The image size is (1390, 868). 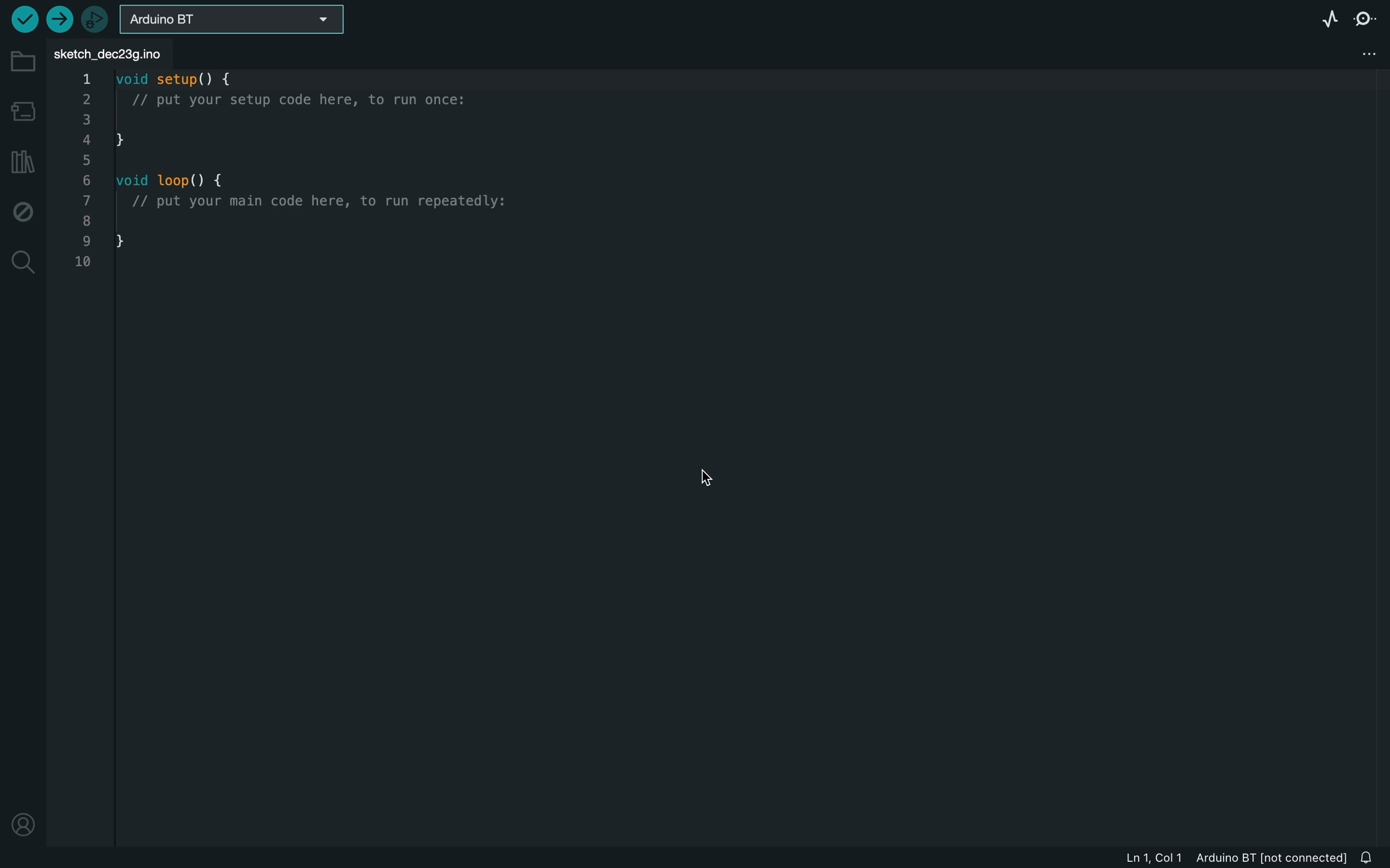 I want to click on board selecter, so click(x=232, y=20).